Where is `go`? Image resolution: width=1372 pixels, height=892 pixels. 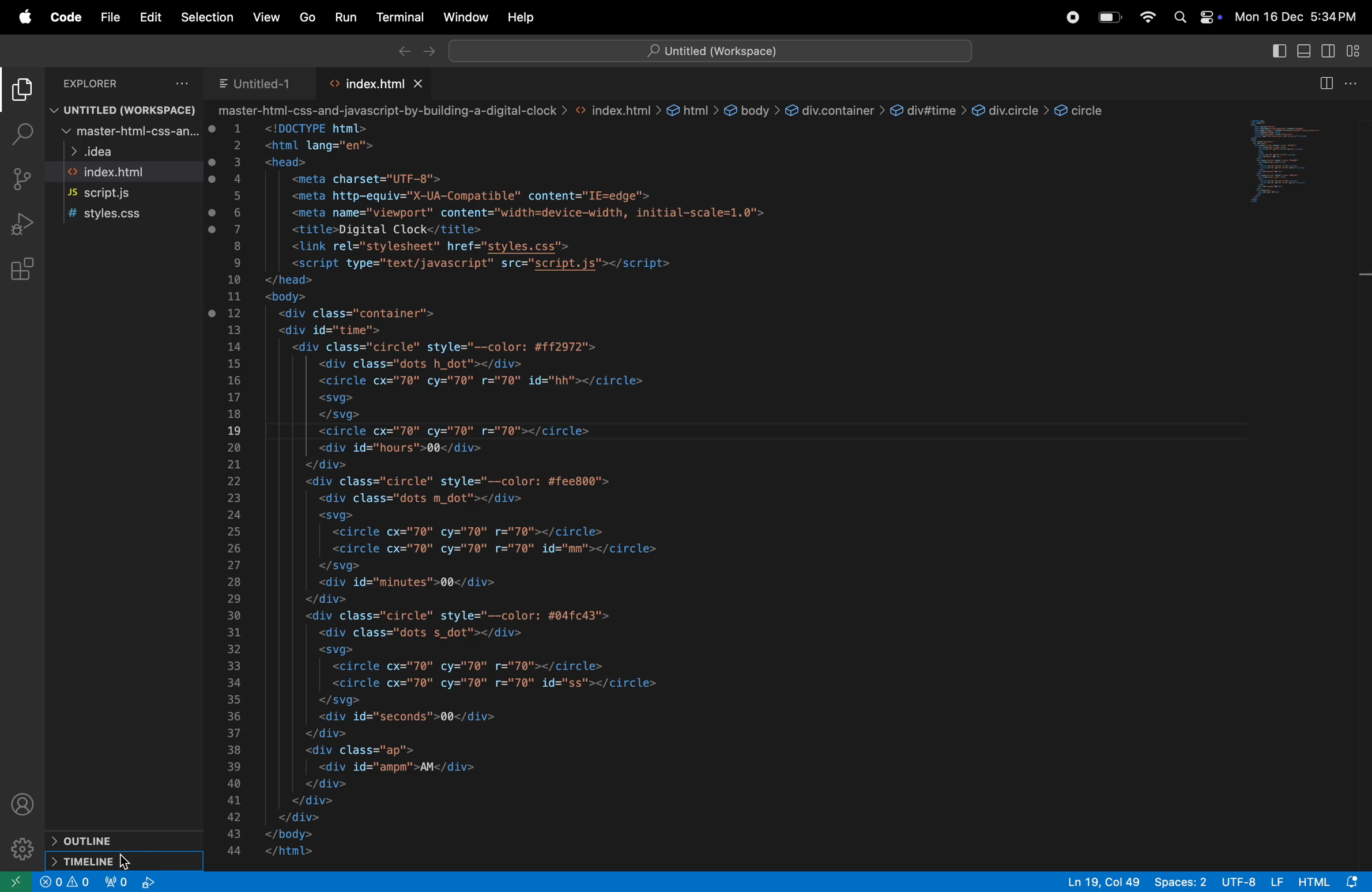 go is located at coordinates (305, 17).